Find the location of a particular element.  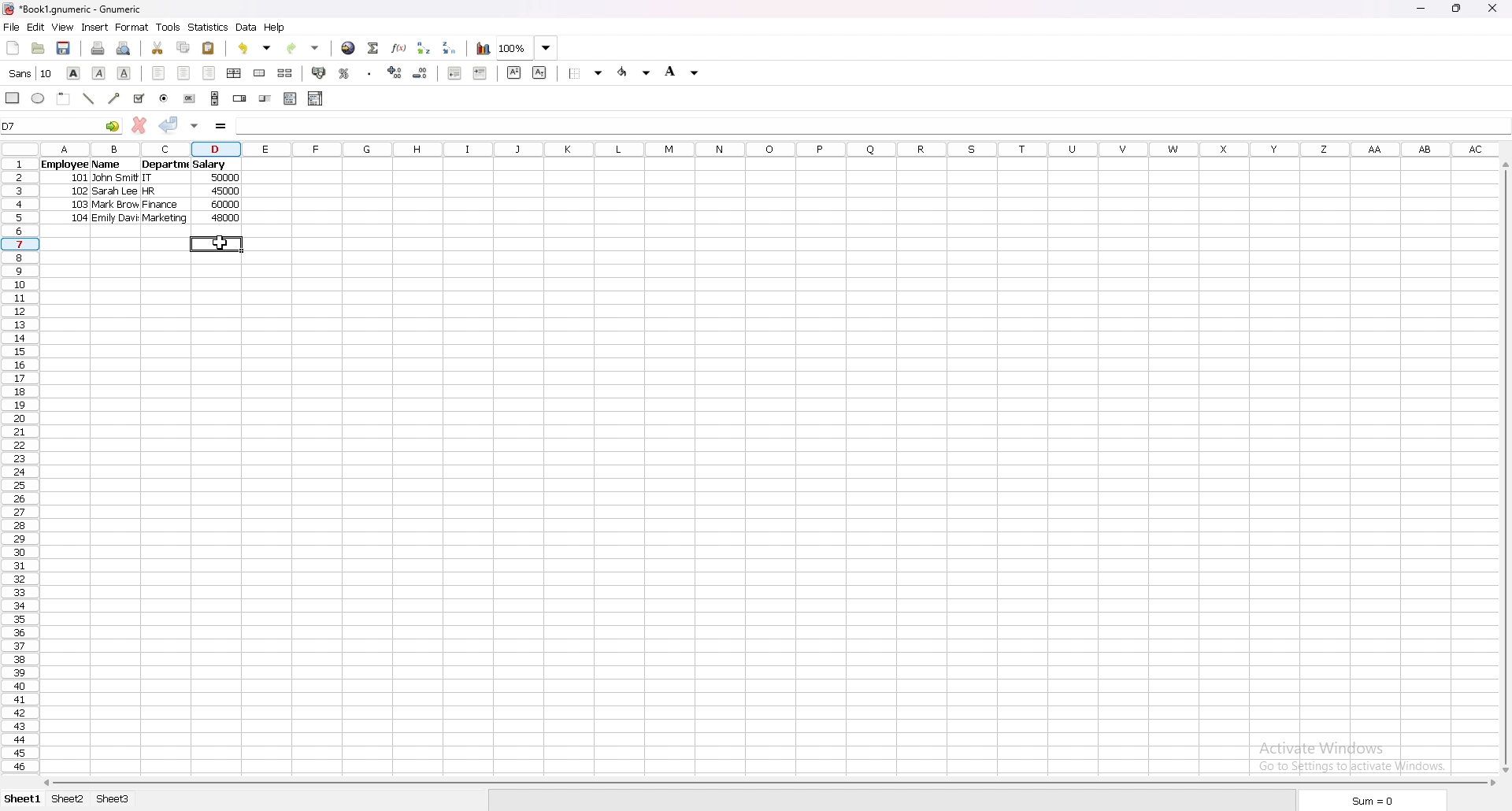

IT is located at coordinates (157, 180).